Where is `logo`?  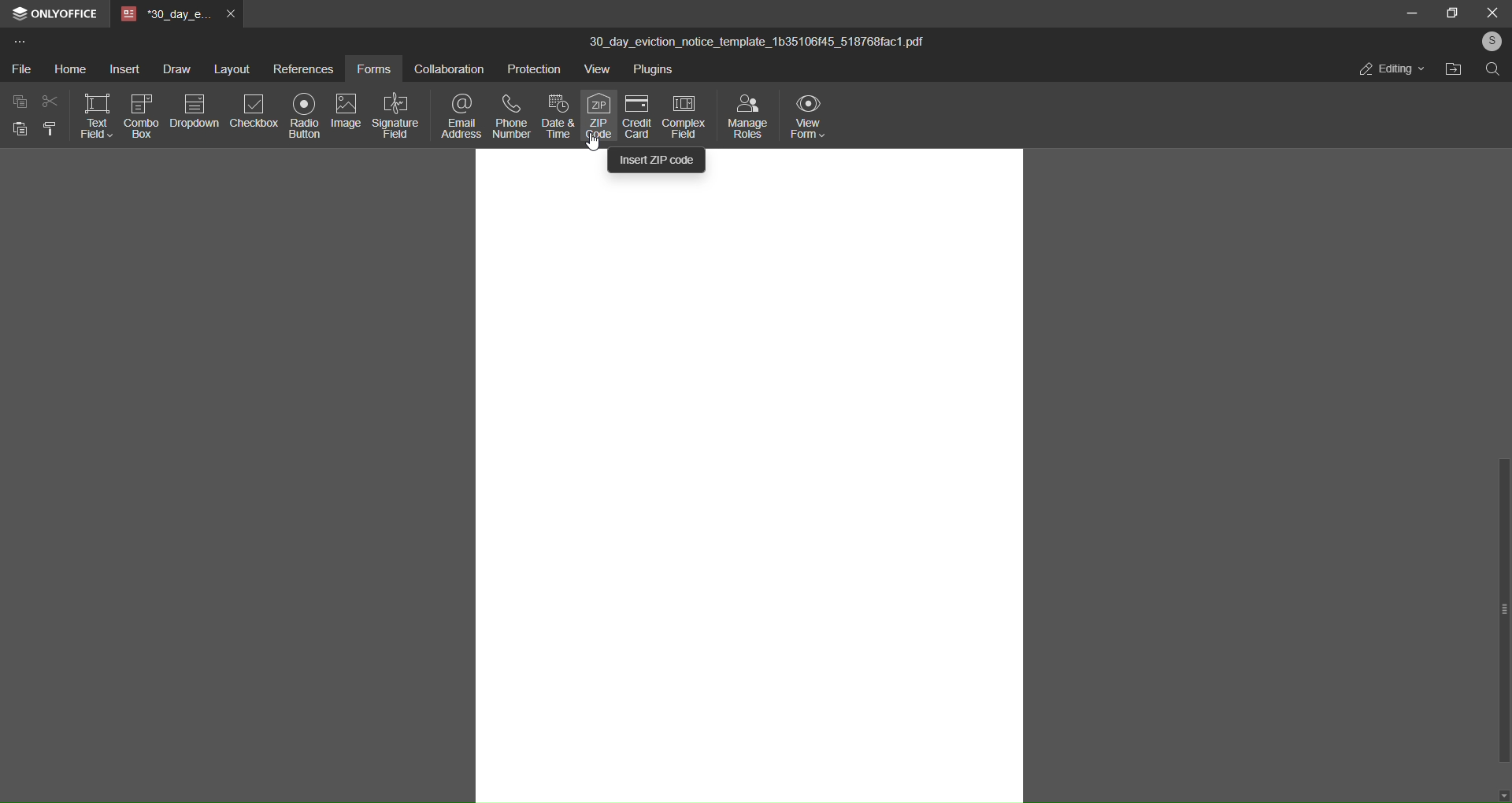
logo is located at coordinates (18, 13).